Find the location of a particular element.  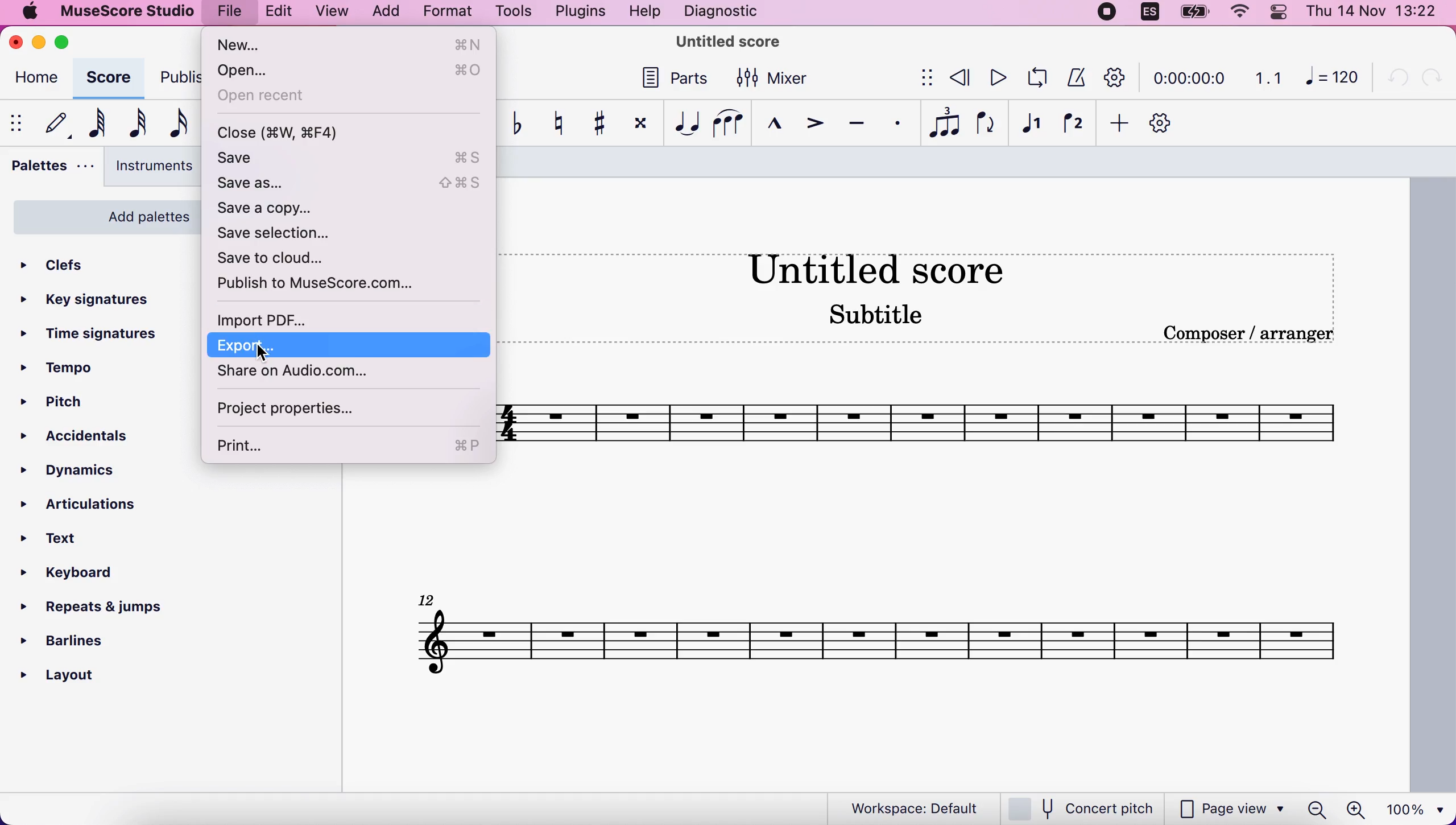

edit is located at coordinates (275, 13).